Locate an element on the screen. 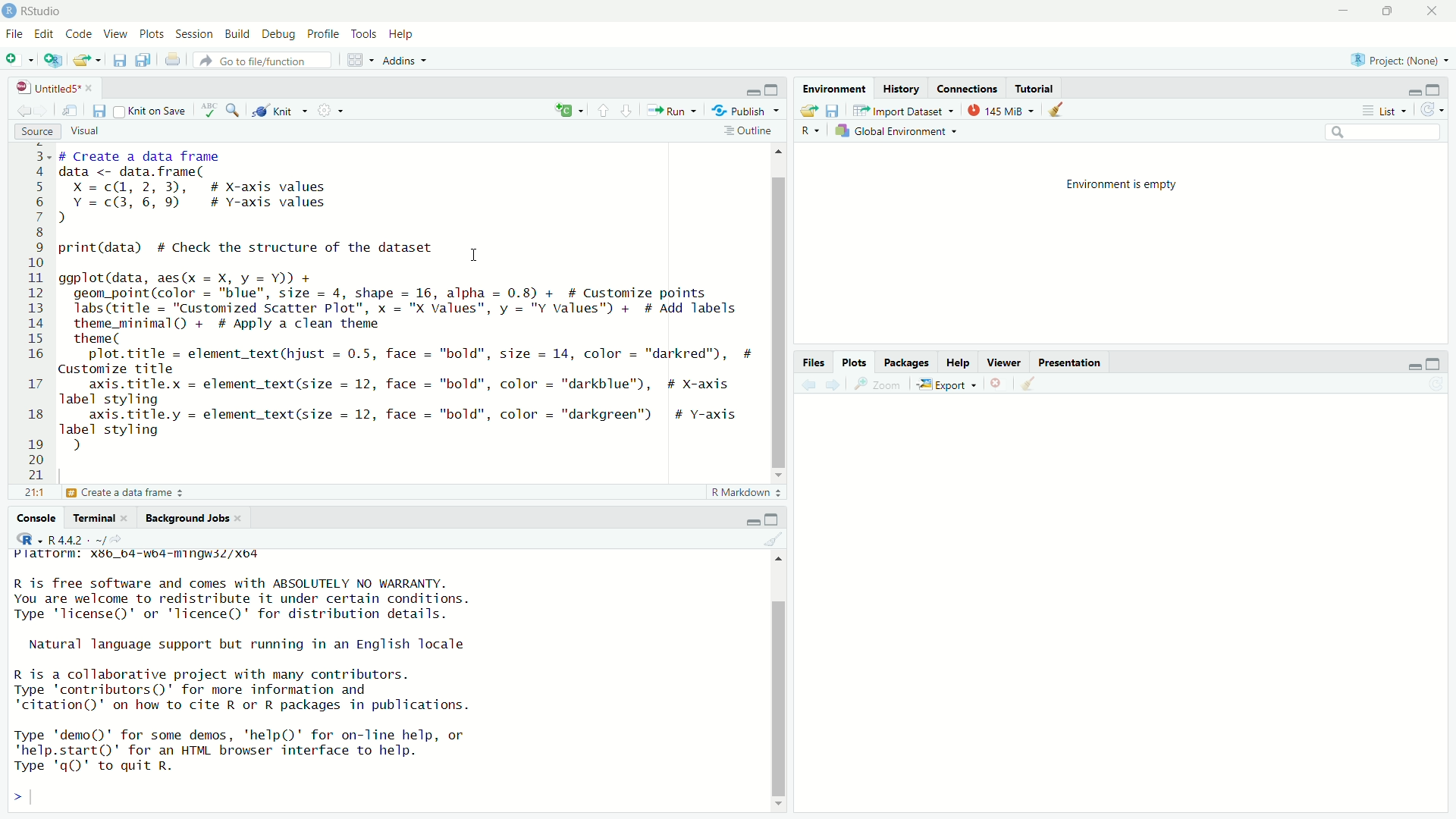 This screenshot has height=819, width=1456. Console is located at coordinates (38, 518).